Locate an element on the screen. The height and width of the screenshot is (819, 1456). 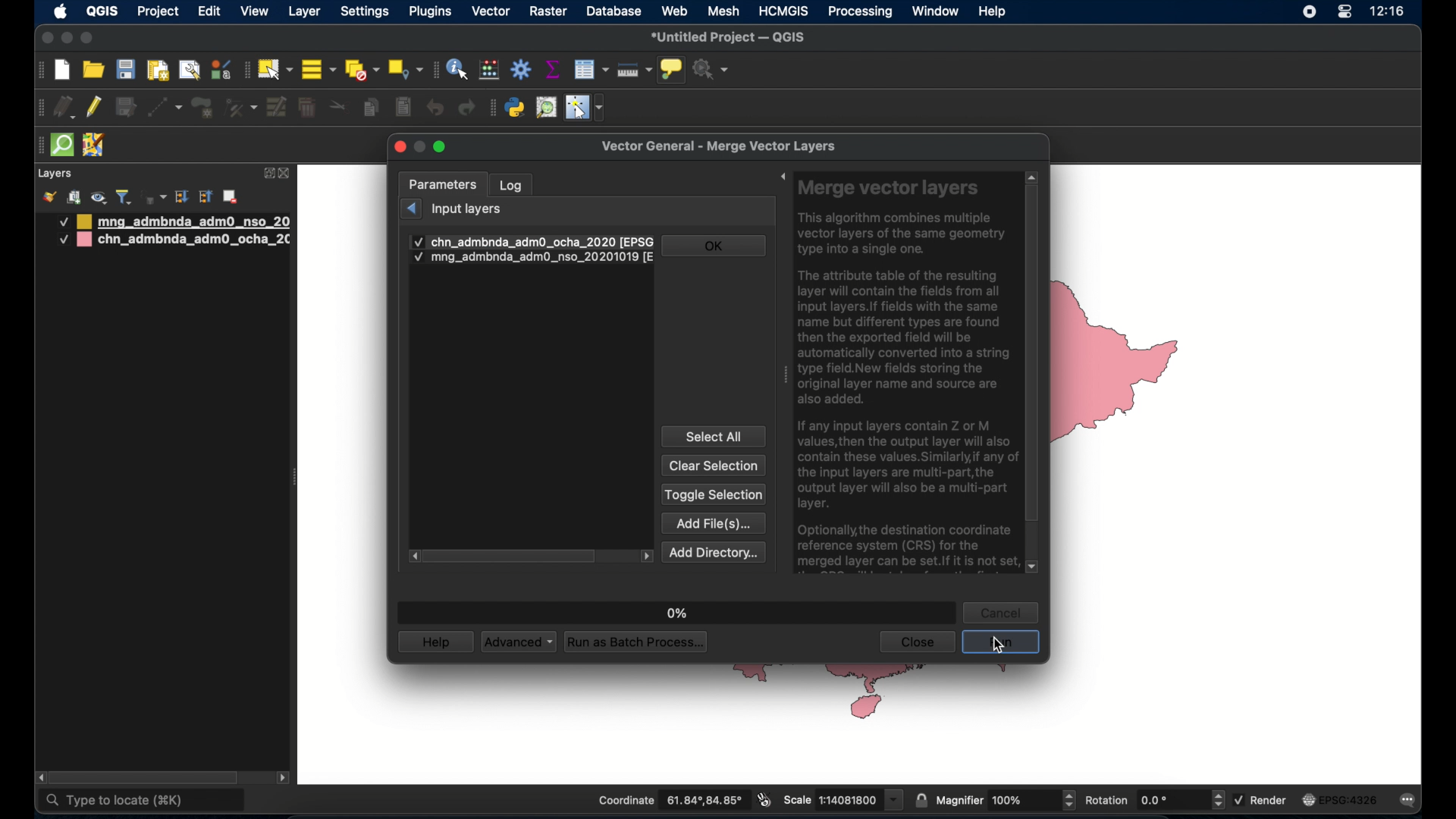
project is located at coordinates (159, 13).